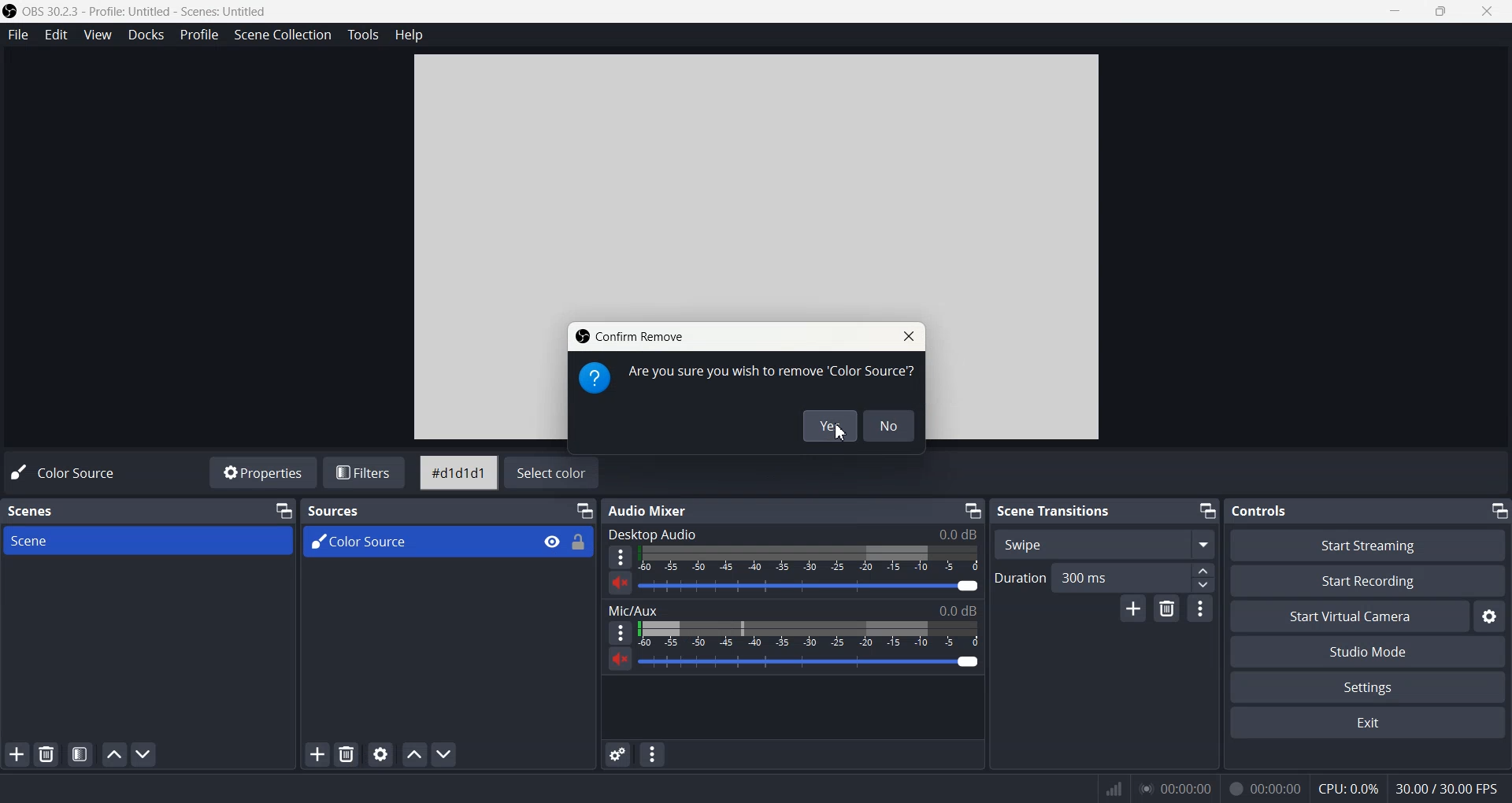 The height and width of the screenshot is (803, 1512). Describe the element at coordinates (113, 754) in the screenshot. I see `Move scene up` at that location.